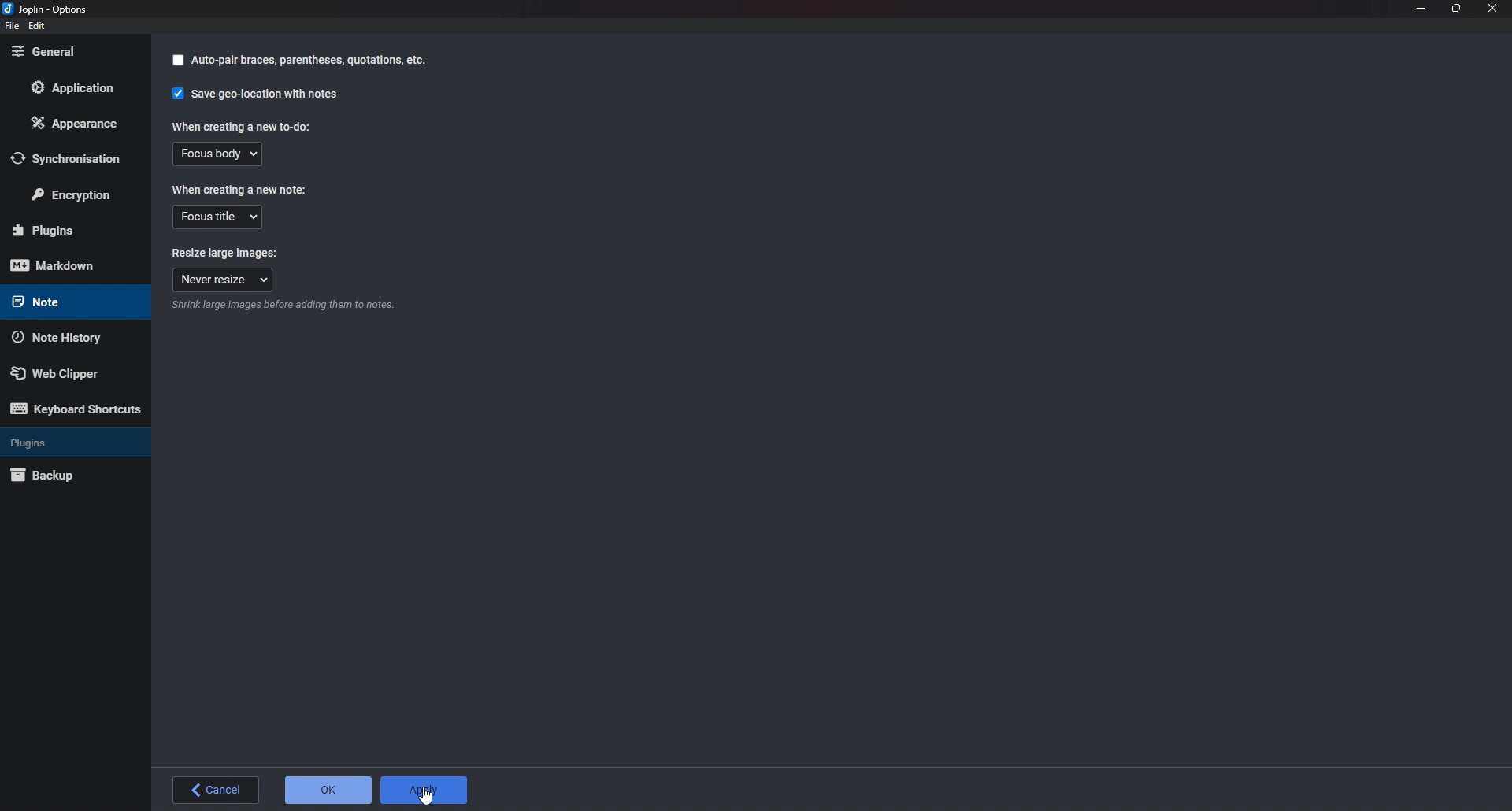 The width and height of the screenshot is (1512, 811). Describe the element at coordinates (422, 791) in the screenshot. I see `Apply` at that location.